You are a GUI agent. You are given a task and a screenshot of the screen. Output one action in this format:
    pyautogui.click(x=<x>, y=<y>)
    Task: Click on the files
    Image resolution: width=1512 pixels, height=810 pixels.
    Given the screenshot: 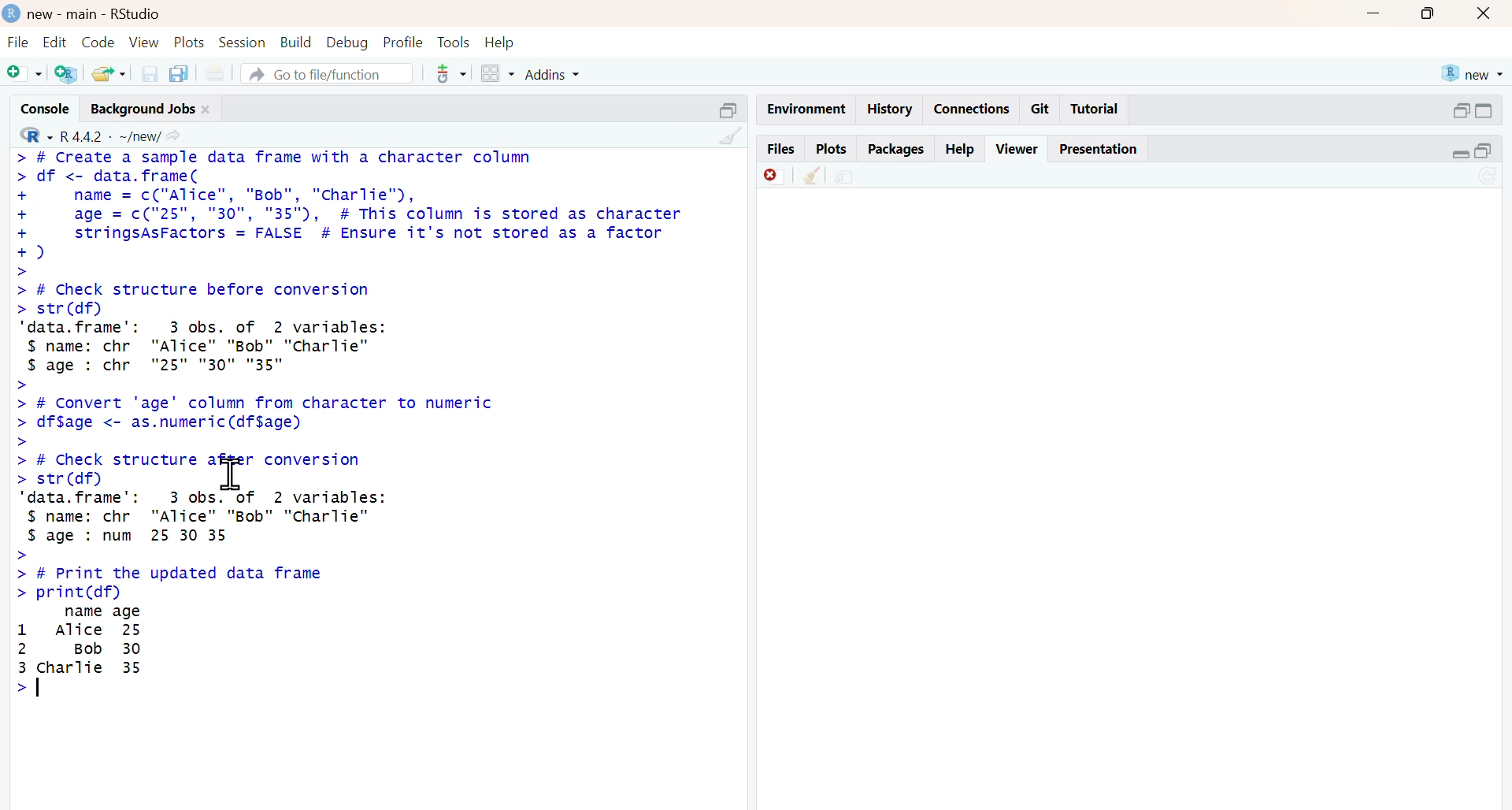 What is the action you would take?
    pyautogui.click(x=782, y=150)
    